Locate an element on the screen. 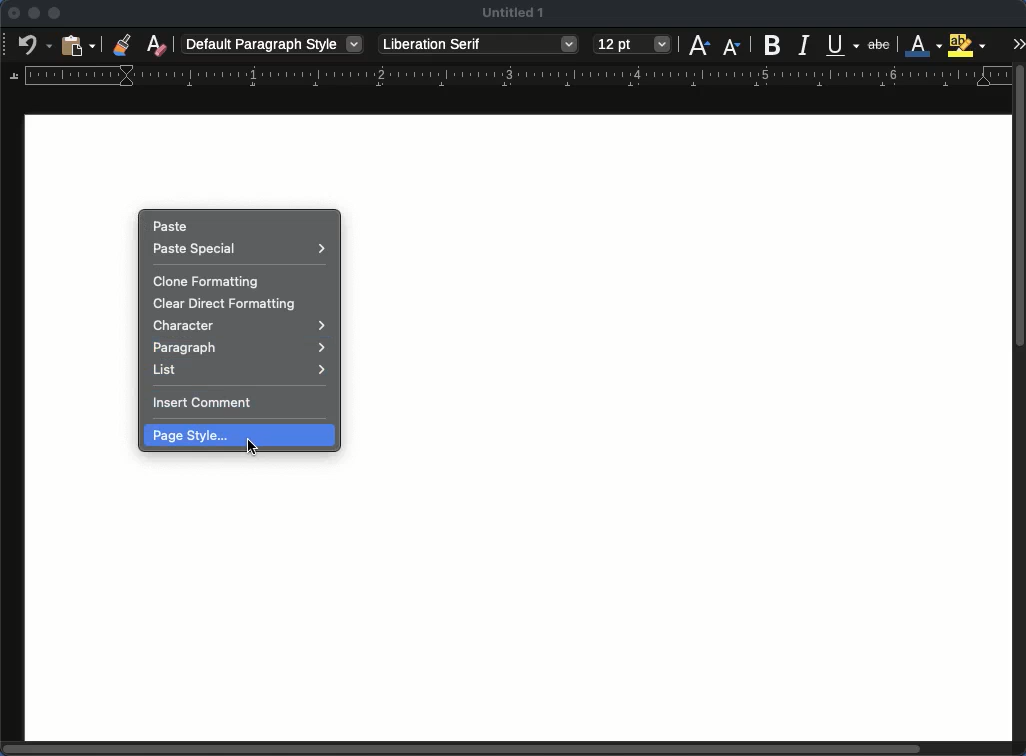 Image resolution: width=1026 pixels, height=756 pixels. decrease size is located at coordinates (730, 48).